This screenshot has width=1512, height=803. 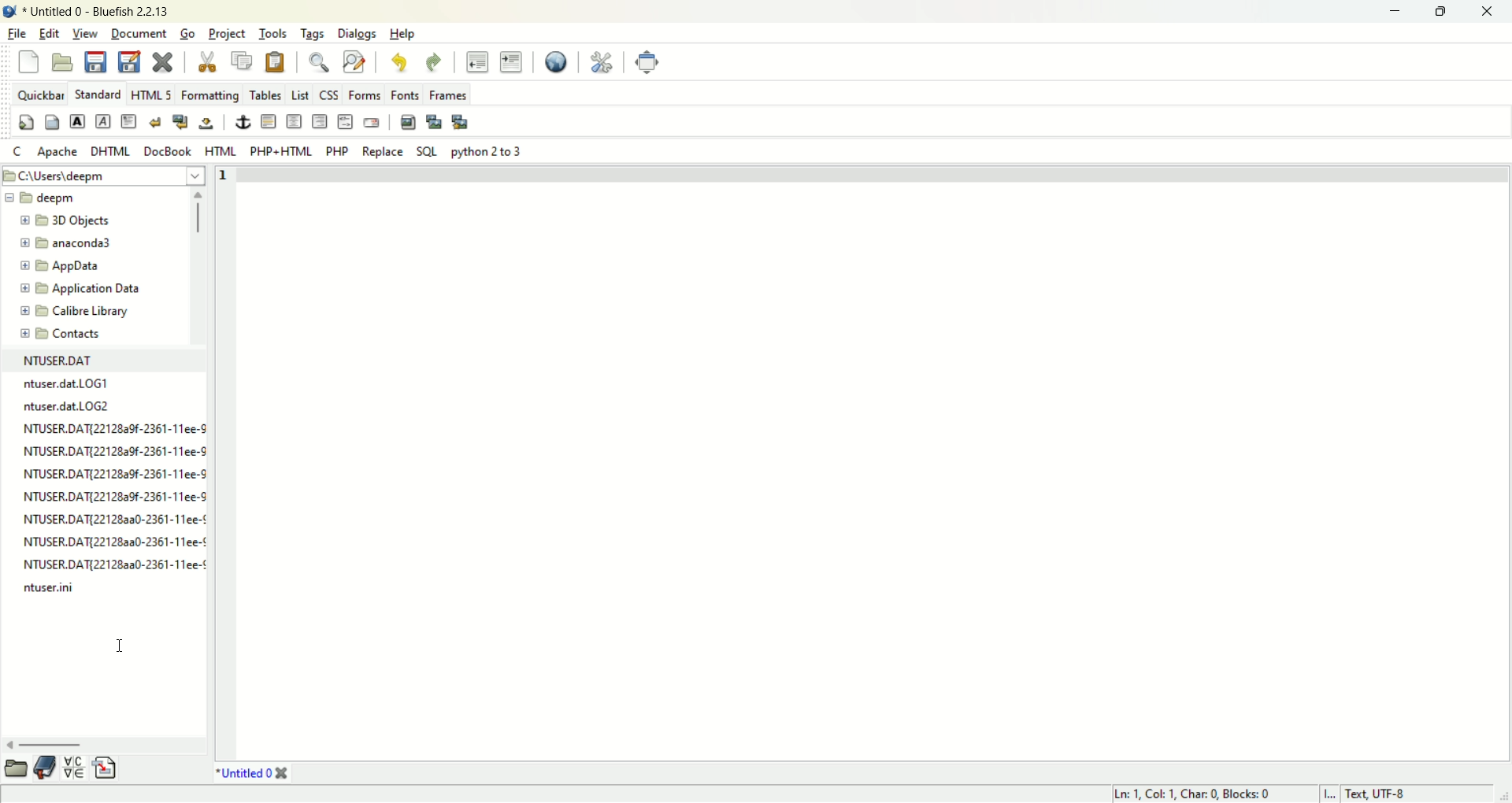 What do you see at coordinates (47, 33) in the screenshot?
I see `edit` at bounding box center [47, 33].